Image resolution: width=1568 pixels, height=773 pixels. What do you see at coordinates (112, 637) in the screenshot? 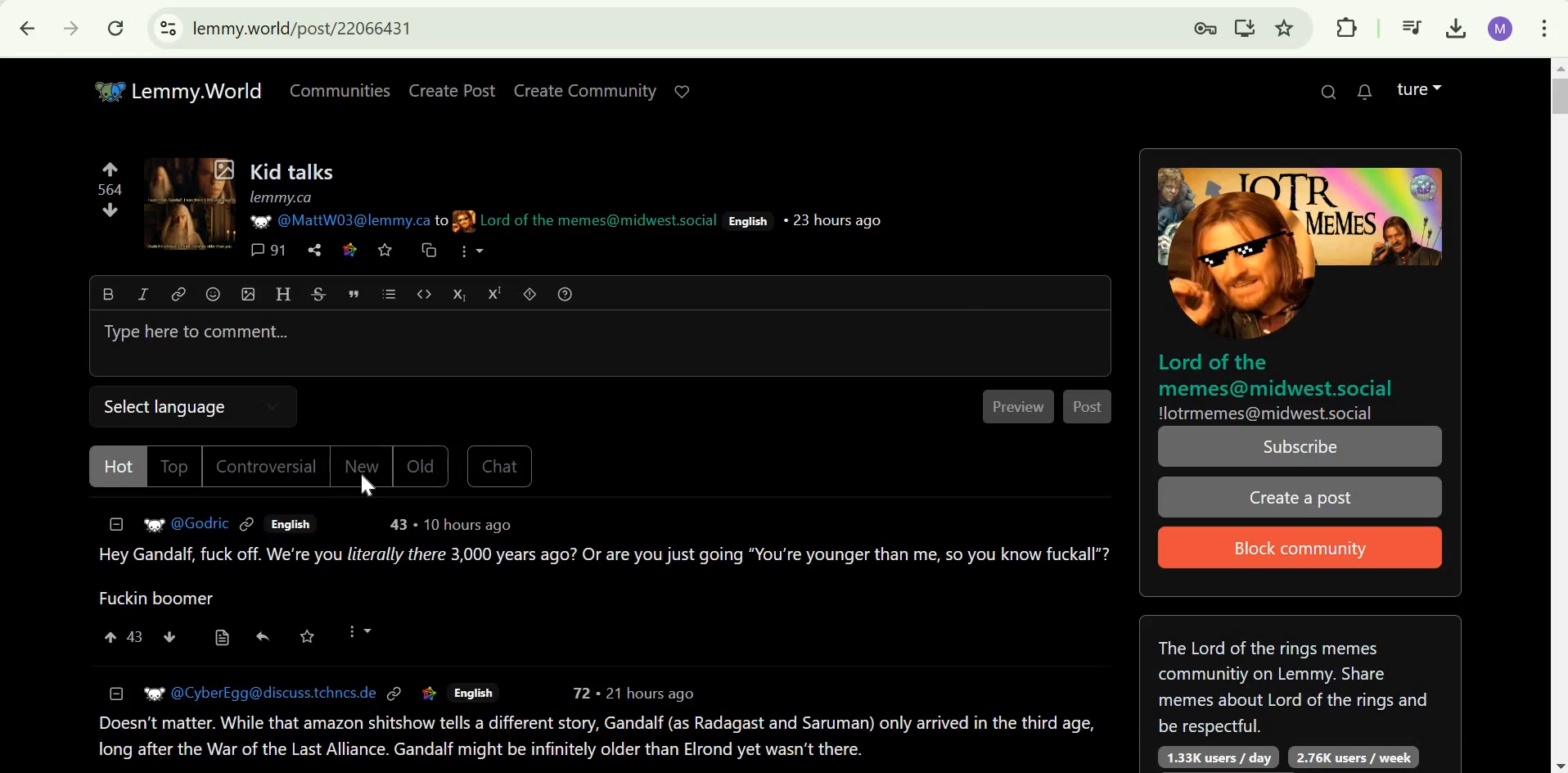
I see `upvote` at bounding box center [112, 637].